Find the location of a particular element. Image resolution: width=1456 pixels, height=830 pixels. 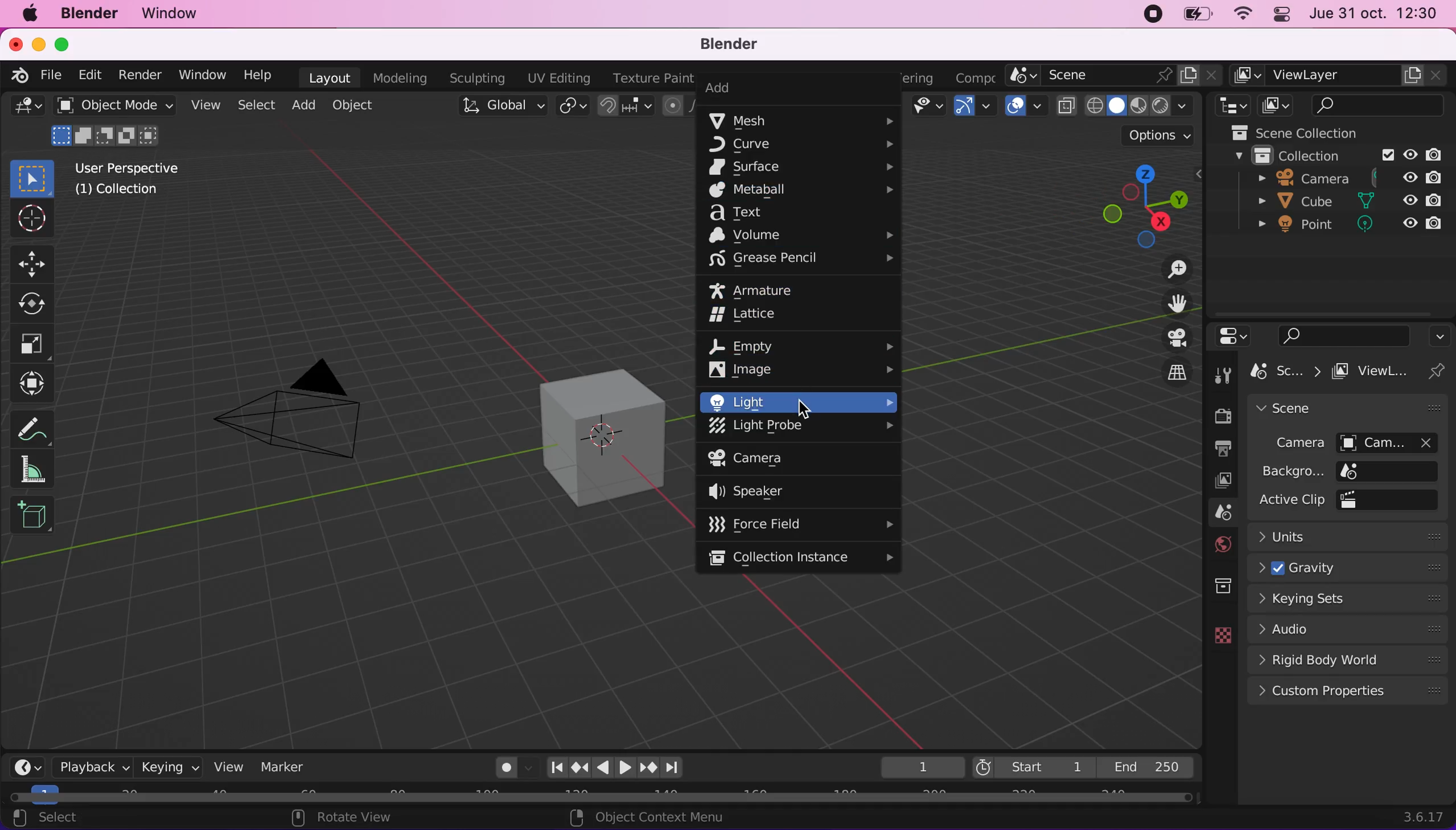

scene collection is located at coordinates (1290, 132).